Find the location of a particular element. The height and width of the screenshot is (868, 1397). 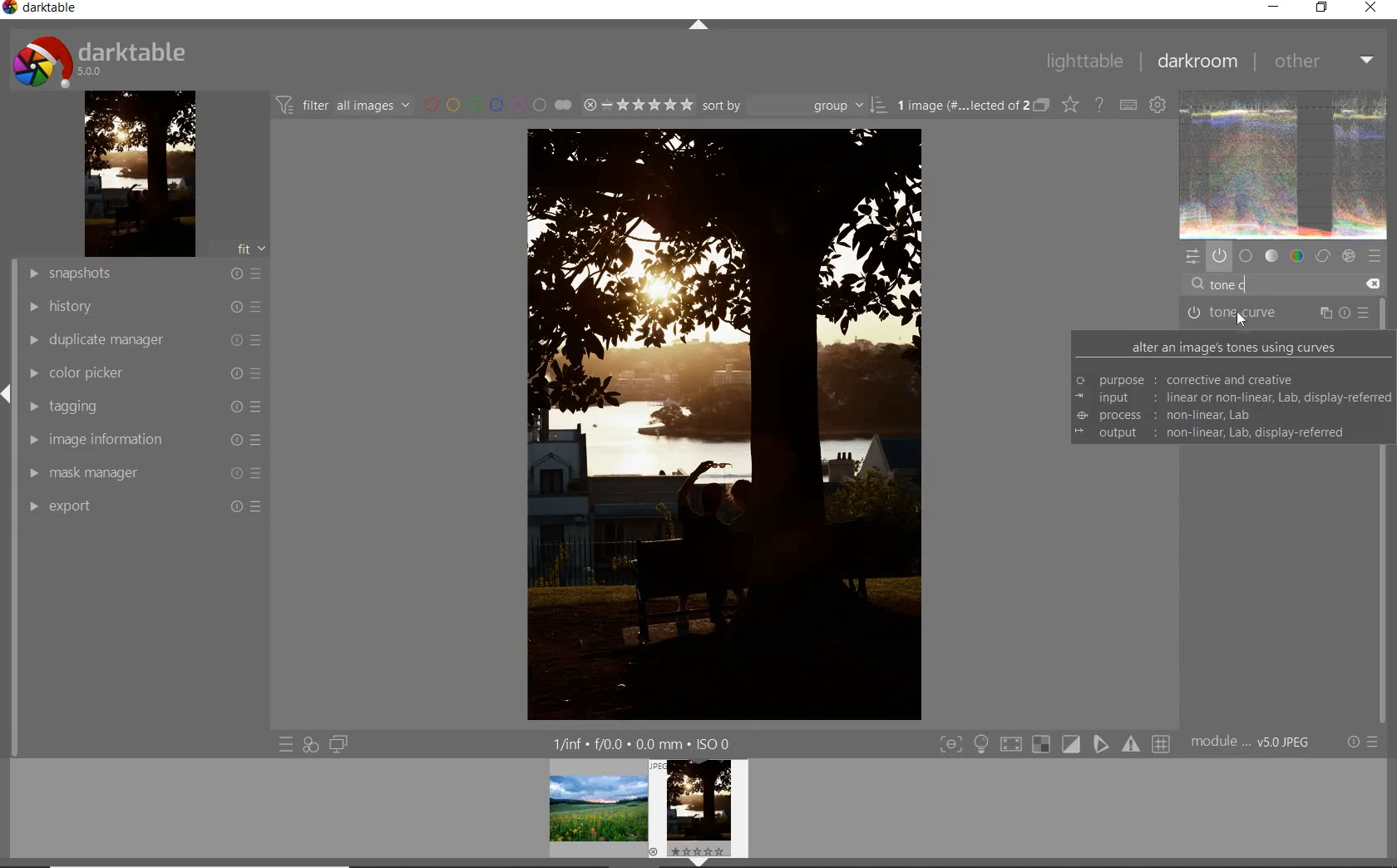

1 image (#.... lected of 2) is located at coordinates (971, 105).